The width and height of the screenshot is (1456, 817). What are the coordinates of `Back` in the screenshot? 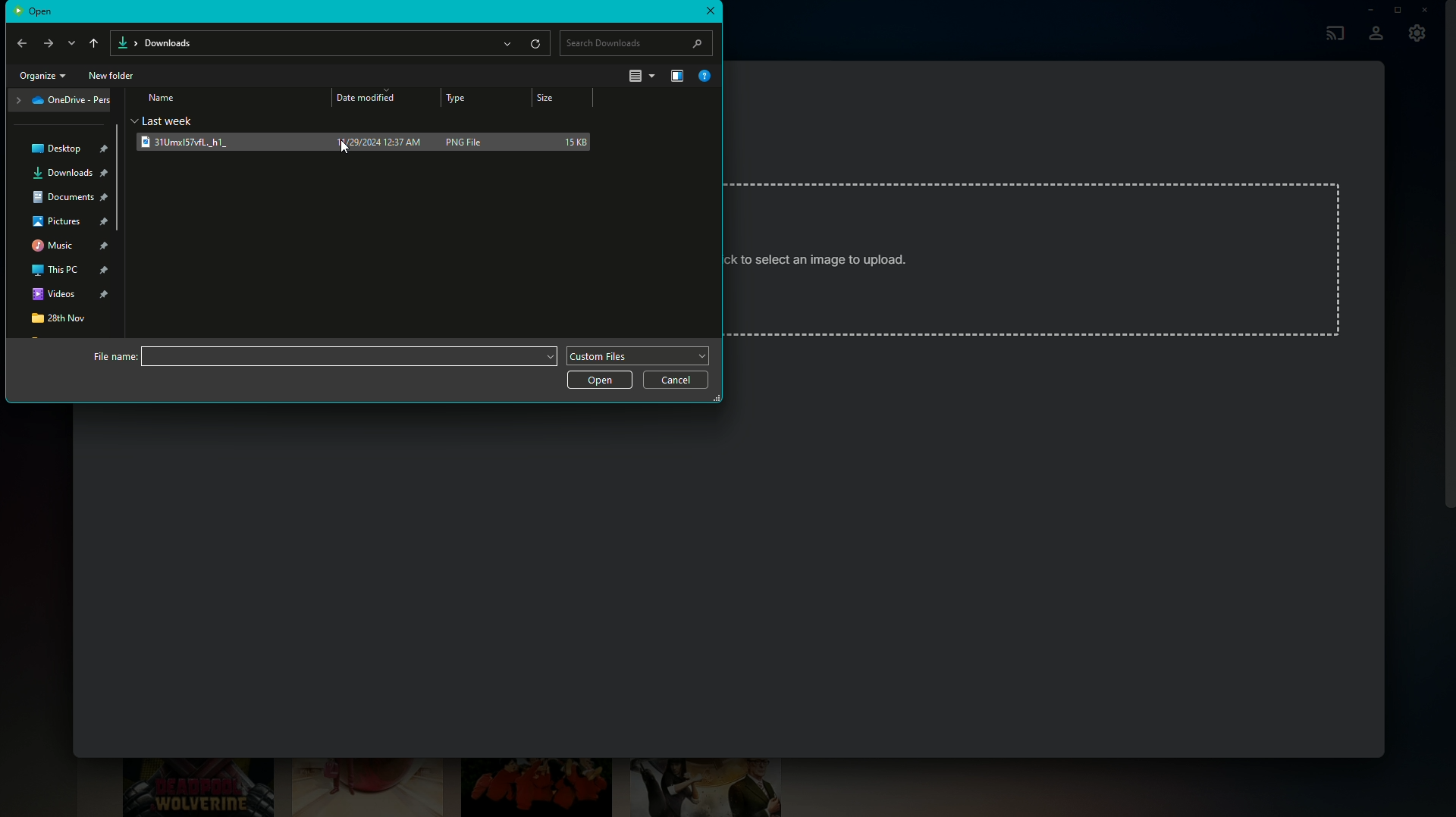 It's located at (21, 43).